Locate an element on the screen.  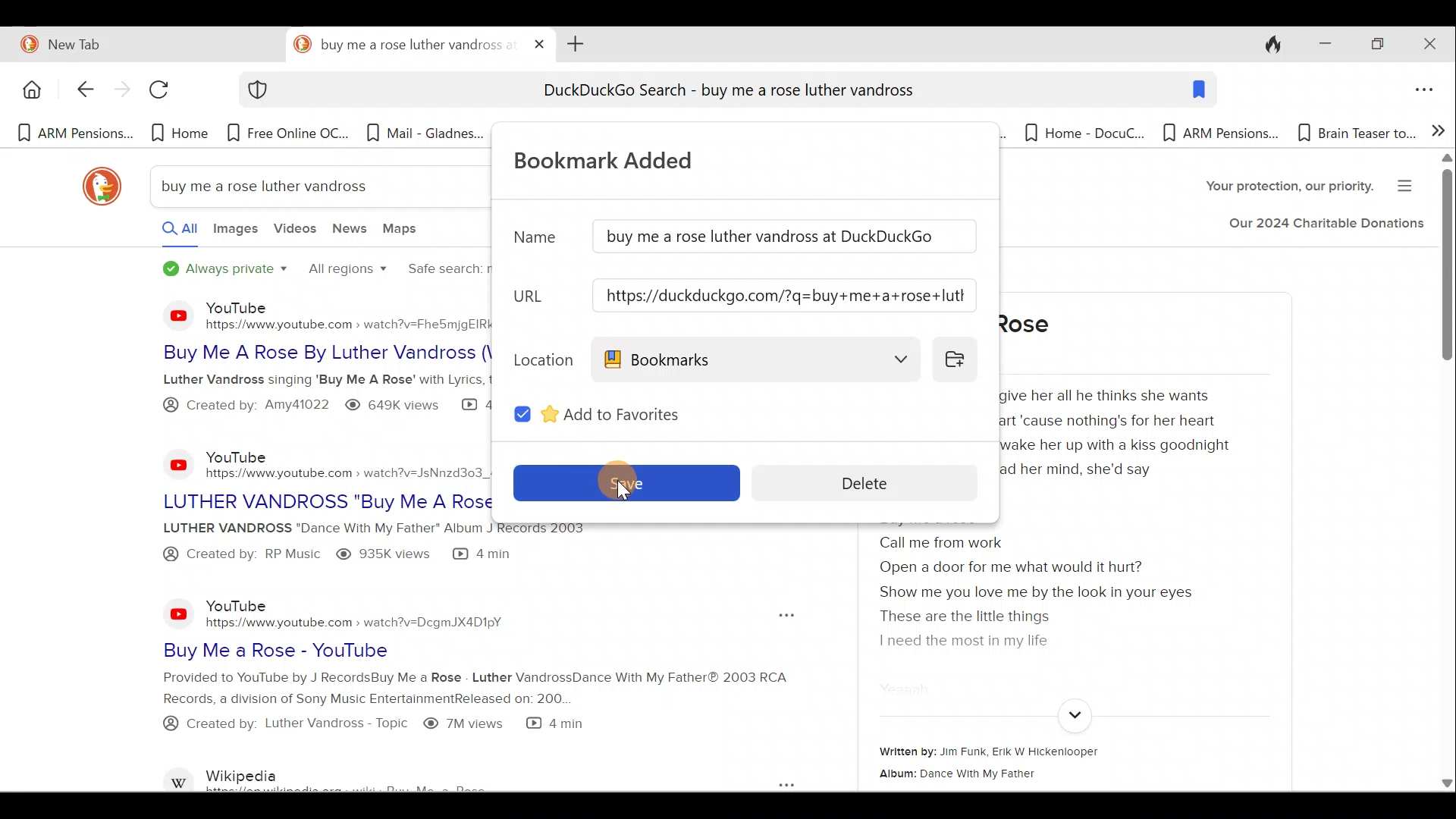
DuckDuckGo logo is located at coordinates (95, 187).